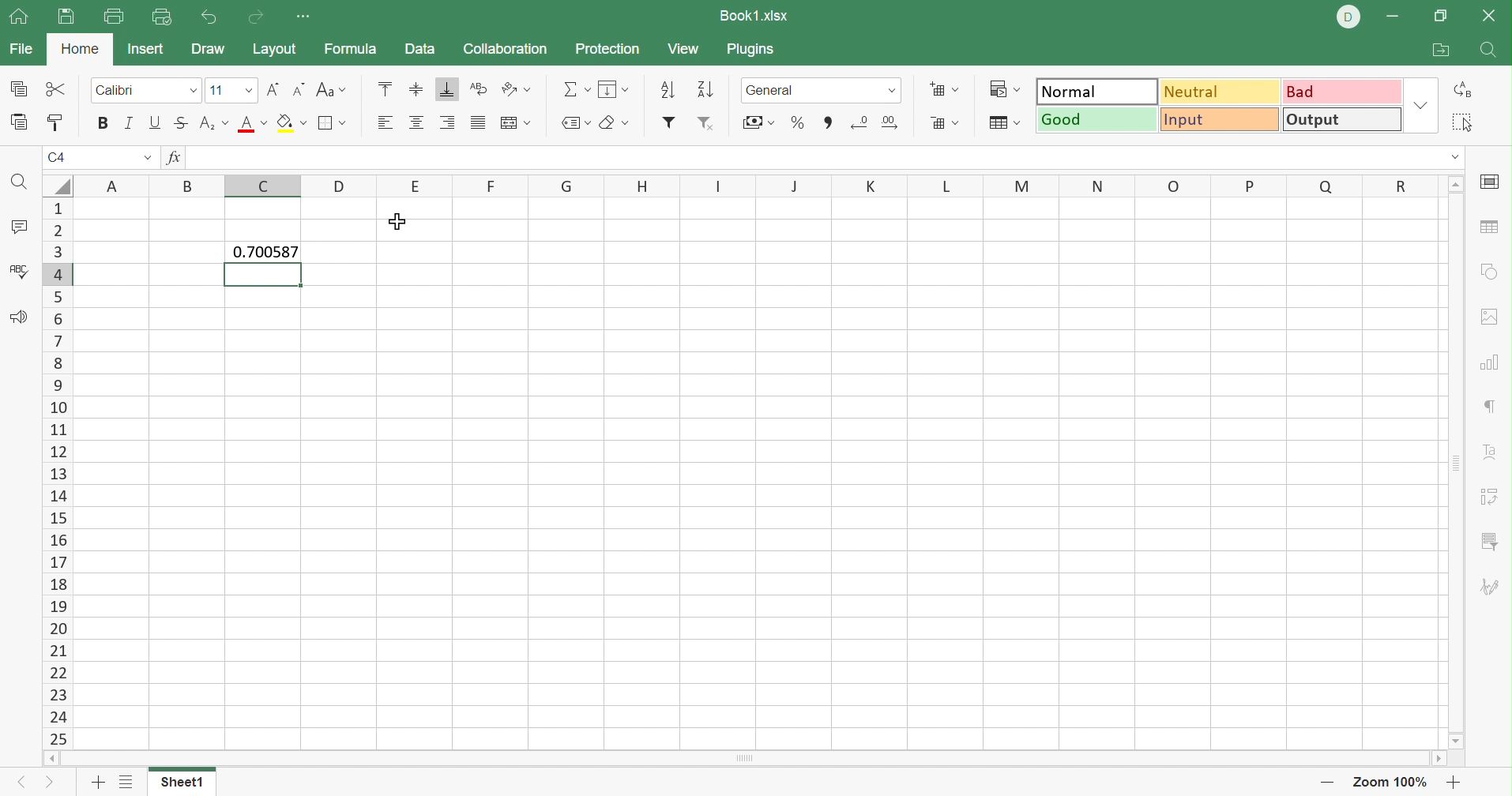  What do you see at coordinates (894, 91) in the screenshot?
I see `Drop down` at bounding box center [894, 91].